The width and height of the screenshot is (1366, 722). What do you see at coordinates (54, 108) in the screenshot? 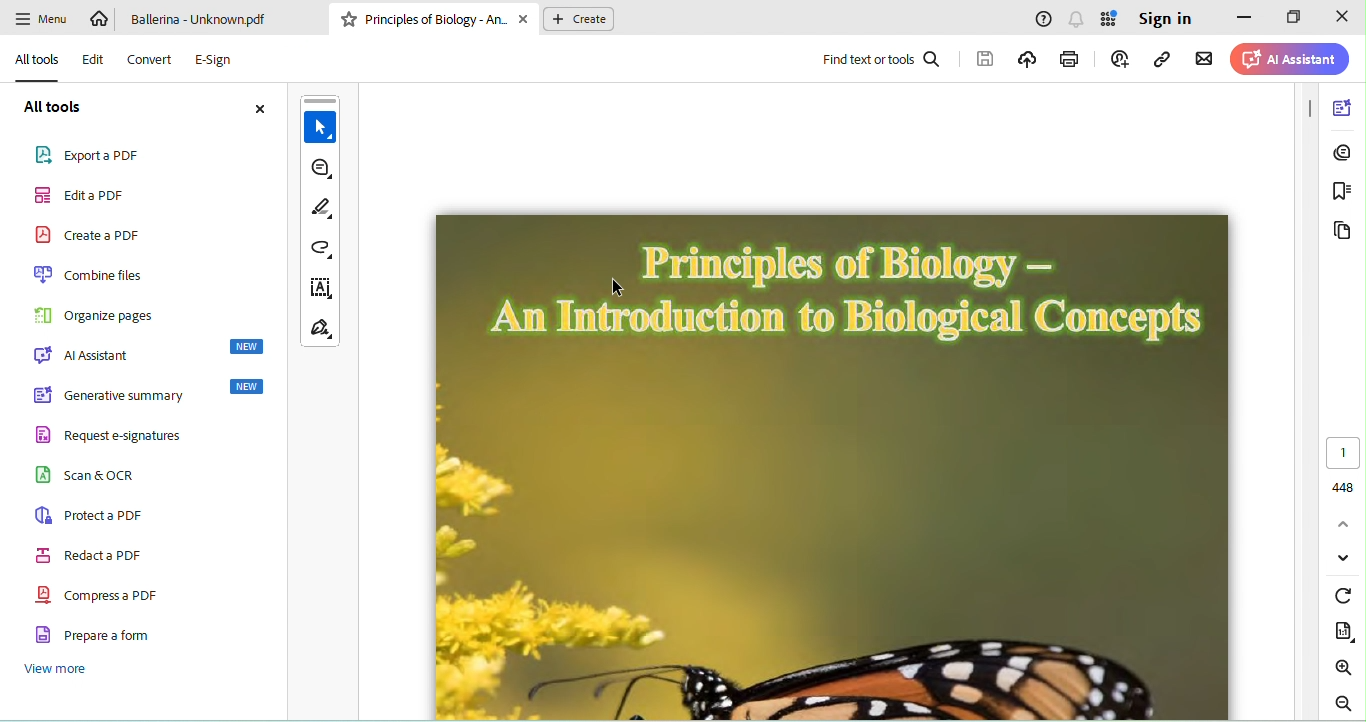
I see `all tools` at bounding box center [54, 108].